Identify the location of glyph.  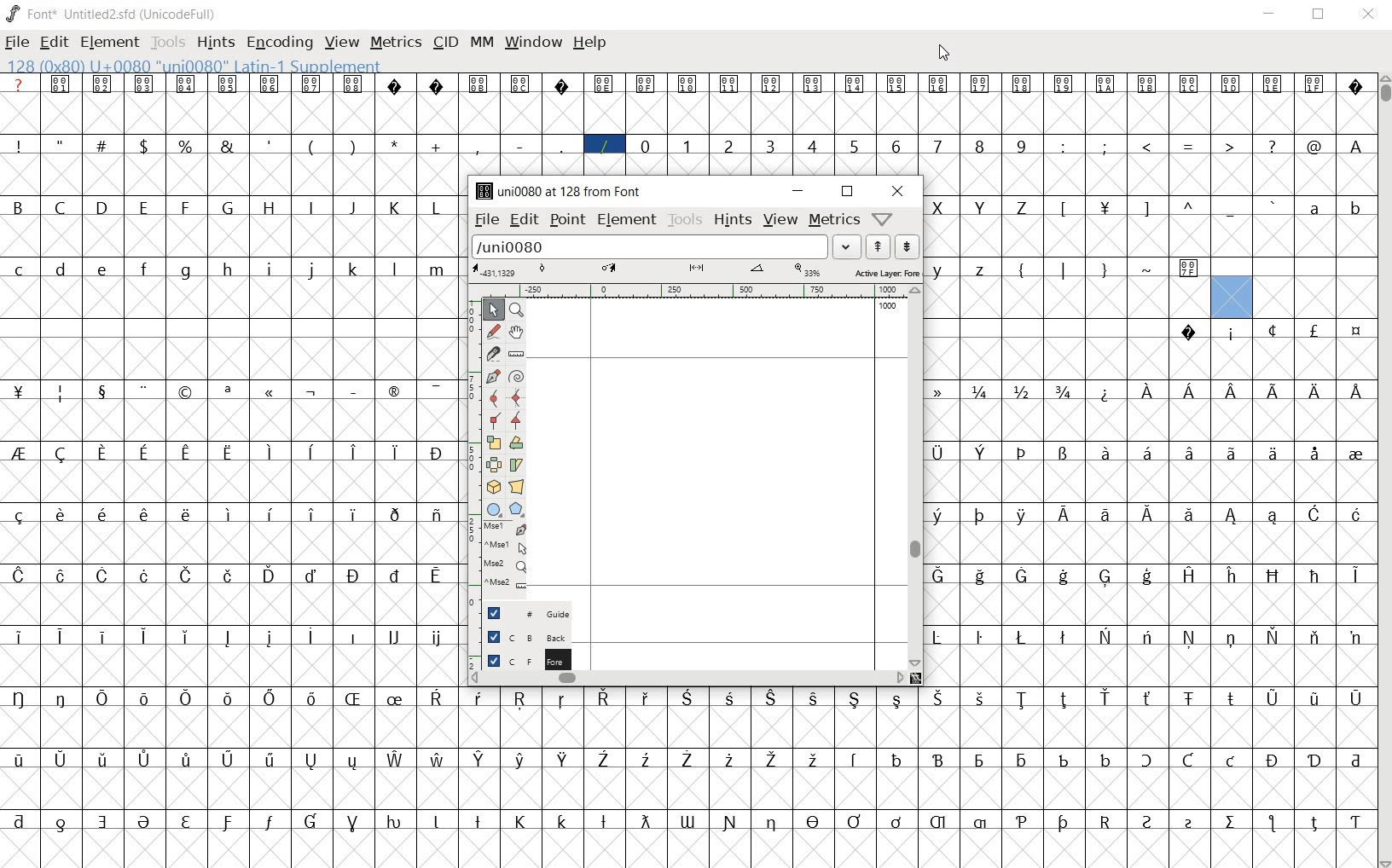
(1147, 146).